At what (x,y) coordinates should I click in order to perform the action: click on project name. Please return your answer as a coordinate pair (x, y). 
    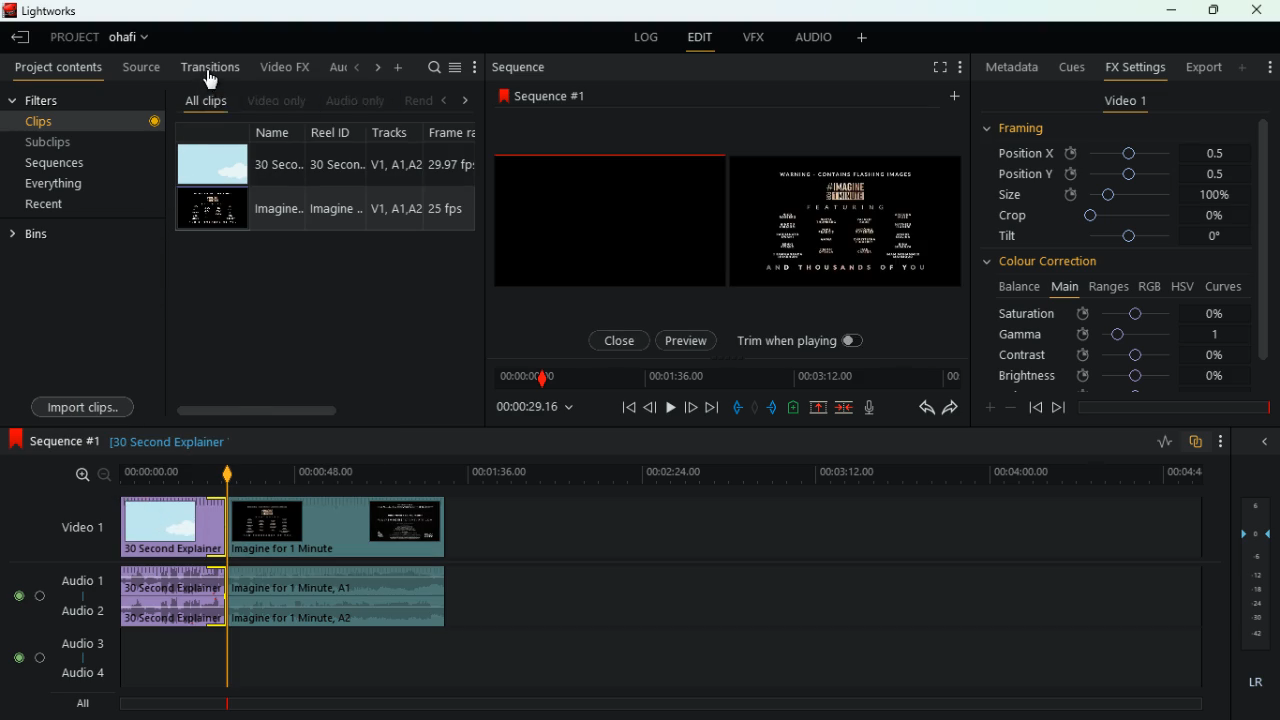
    Looking at the image, I should click on (133, 39).